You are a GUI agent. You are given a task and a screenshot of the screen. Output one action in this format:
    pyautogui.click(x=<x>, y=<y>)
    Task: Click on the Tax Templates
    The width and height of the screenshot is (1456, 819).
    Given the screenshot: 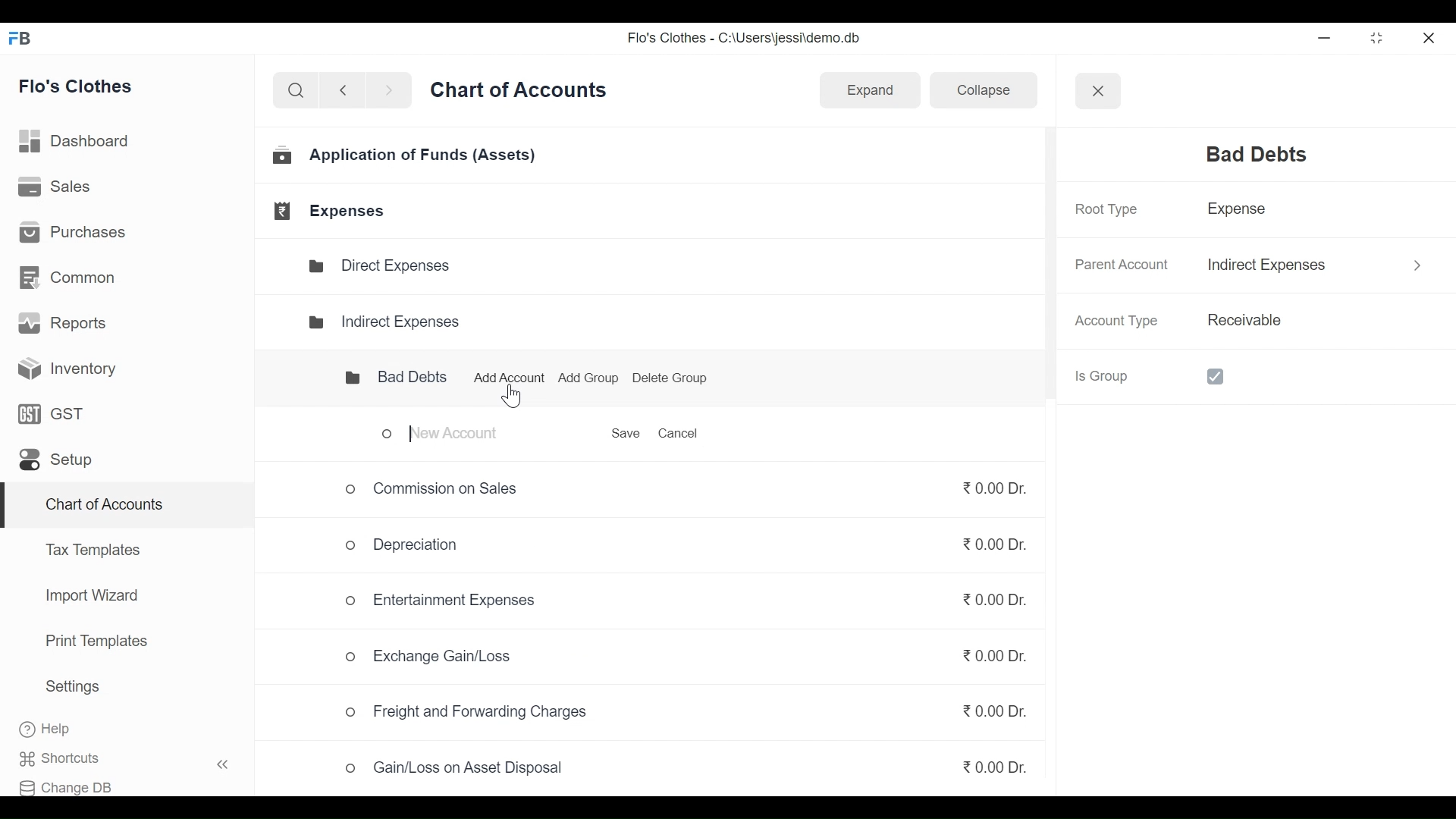 What is the action you would take?
    pyautogui.click(x=92, y=549)
    